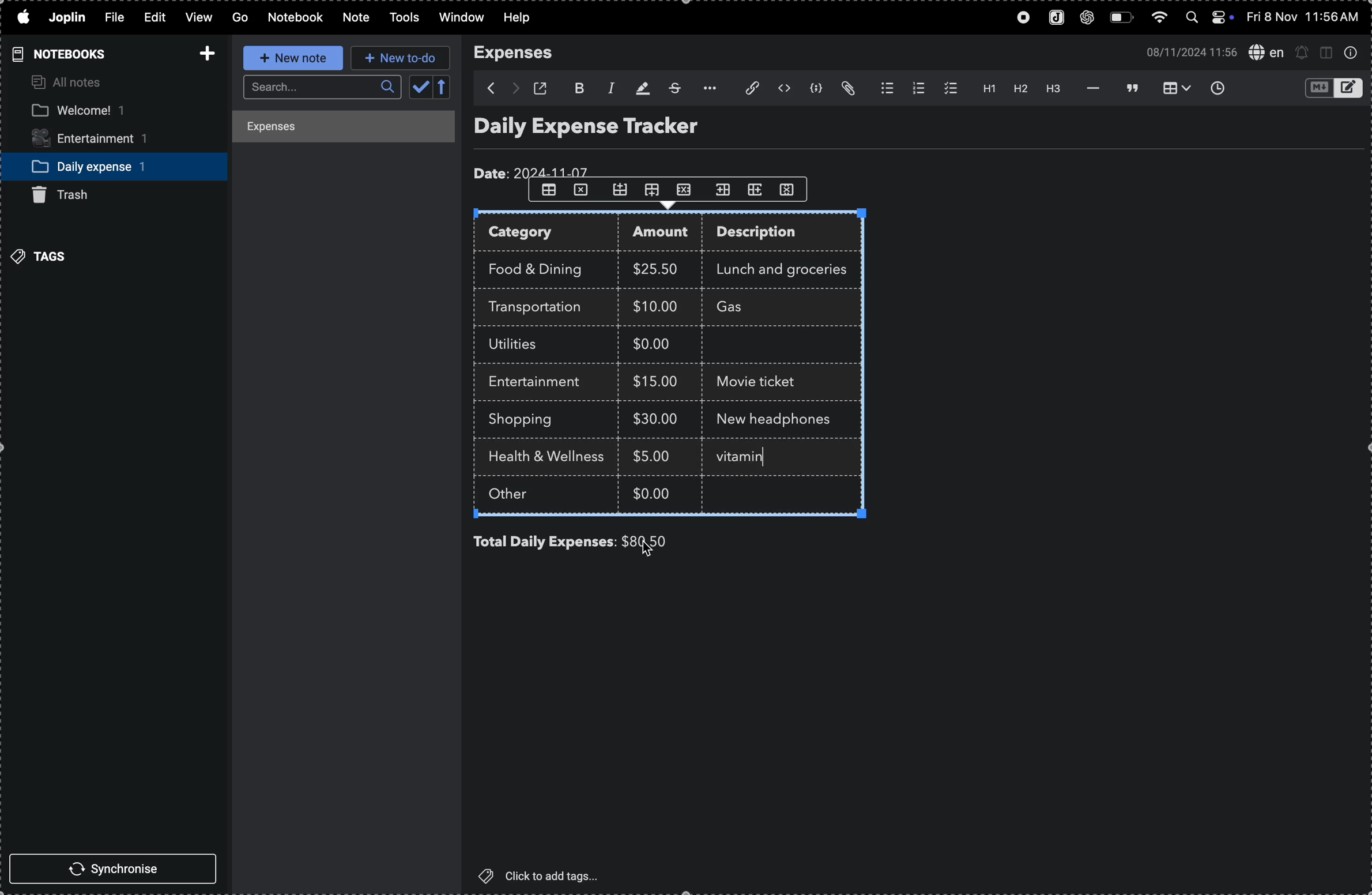  I want to click on $10.00, so click(655, 306).